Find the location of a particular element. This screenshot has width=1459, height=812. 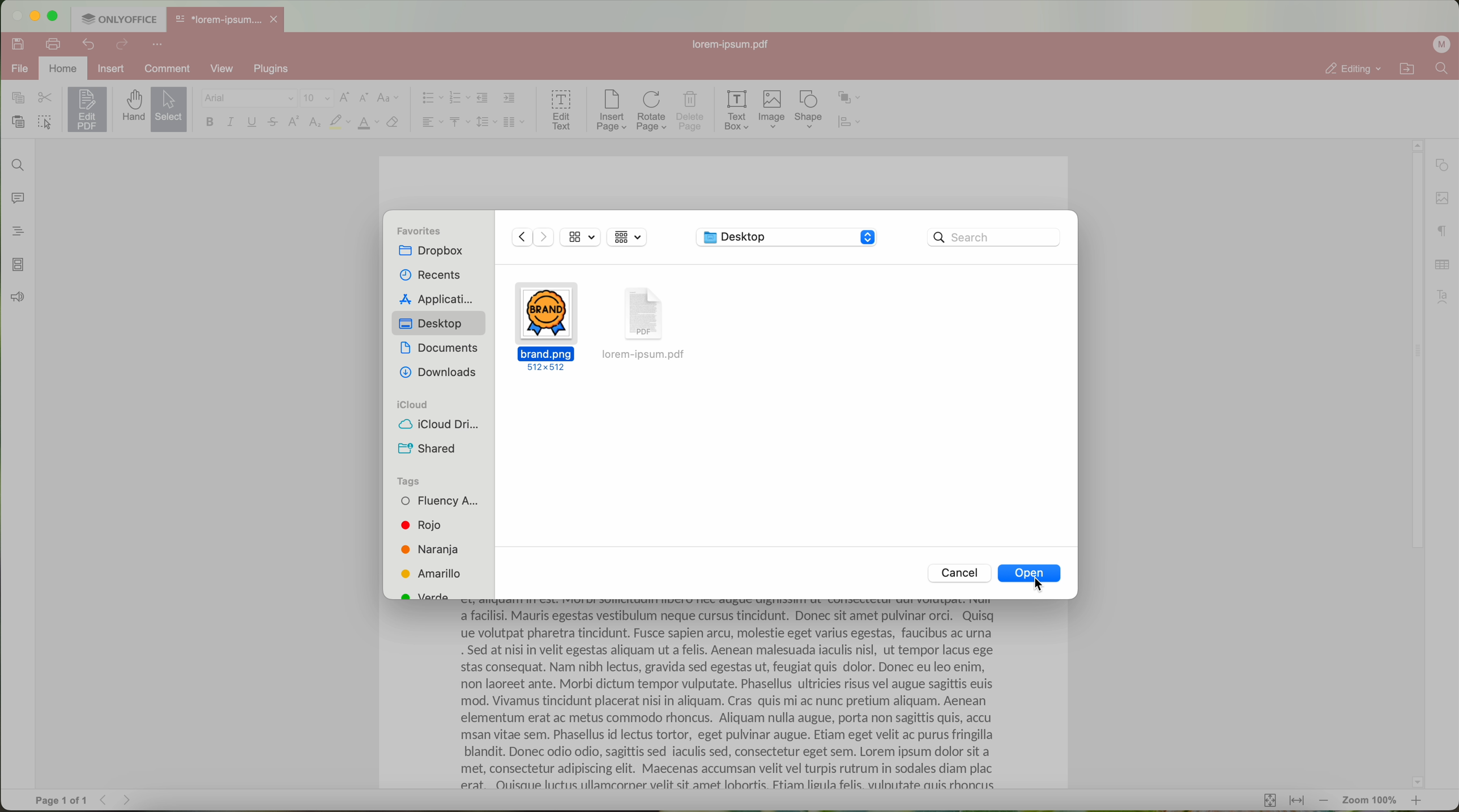

dropbox is located at coordinates (431, 251).